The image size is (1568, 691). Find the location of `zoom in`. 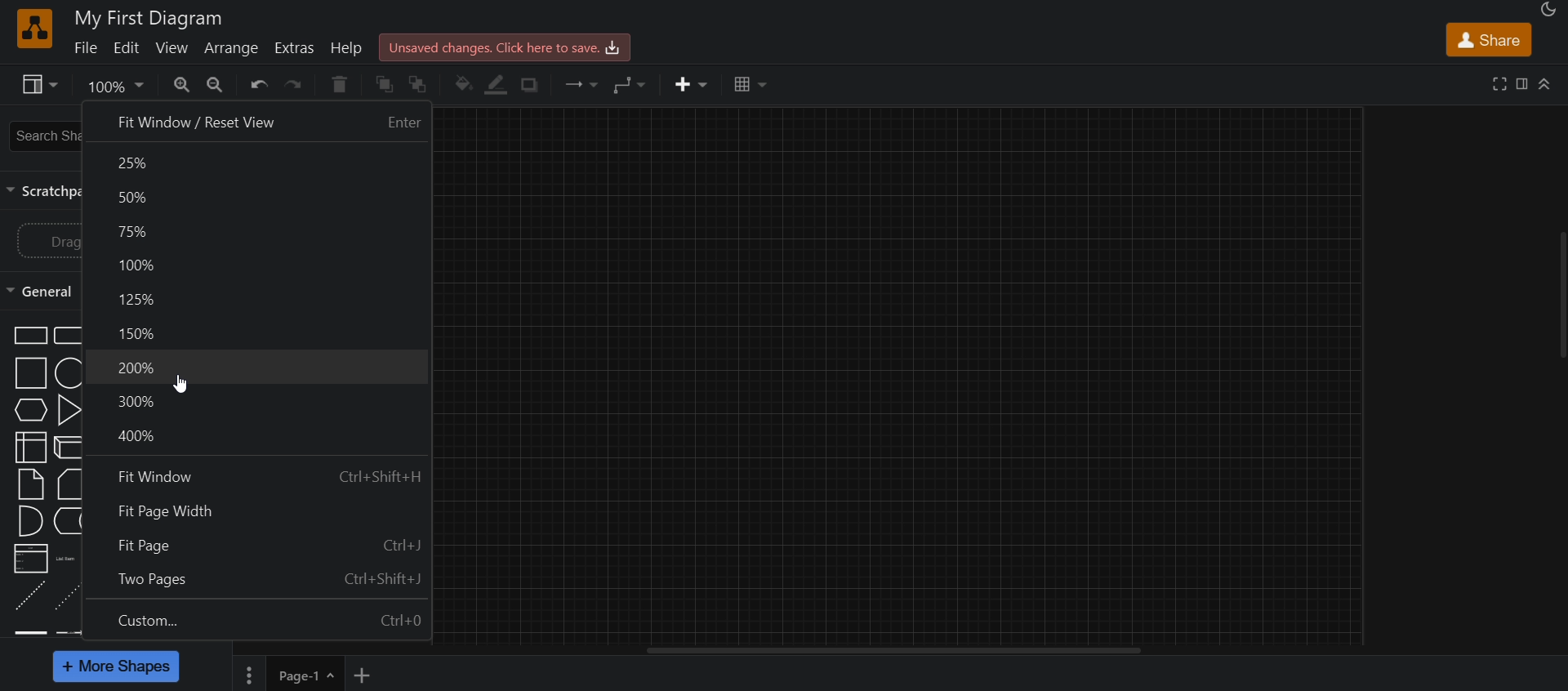

zoom in is located at coordinates (181, 86).